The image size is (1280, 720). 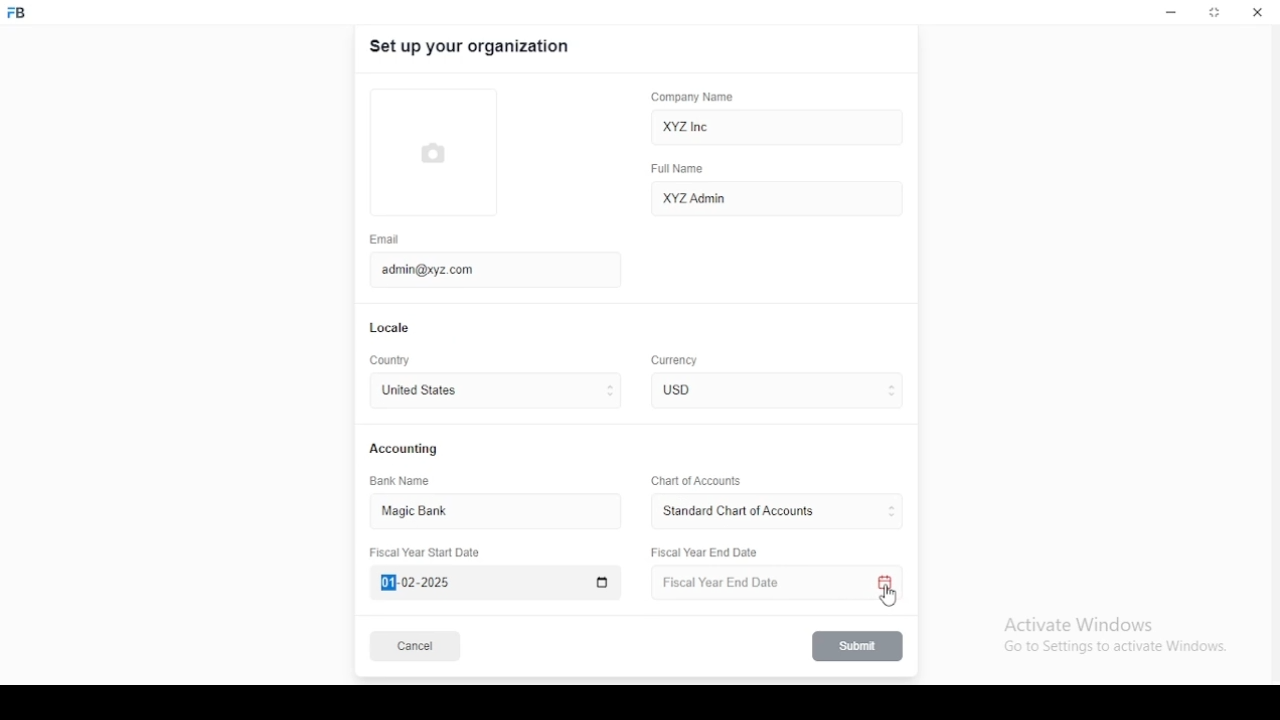 I want to click on Currency, so click(x=675, y=361).